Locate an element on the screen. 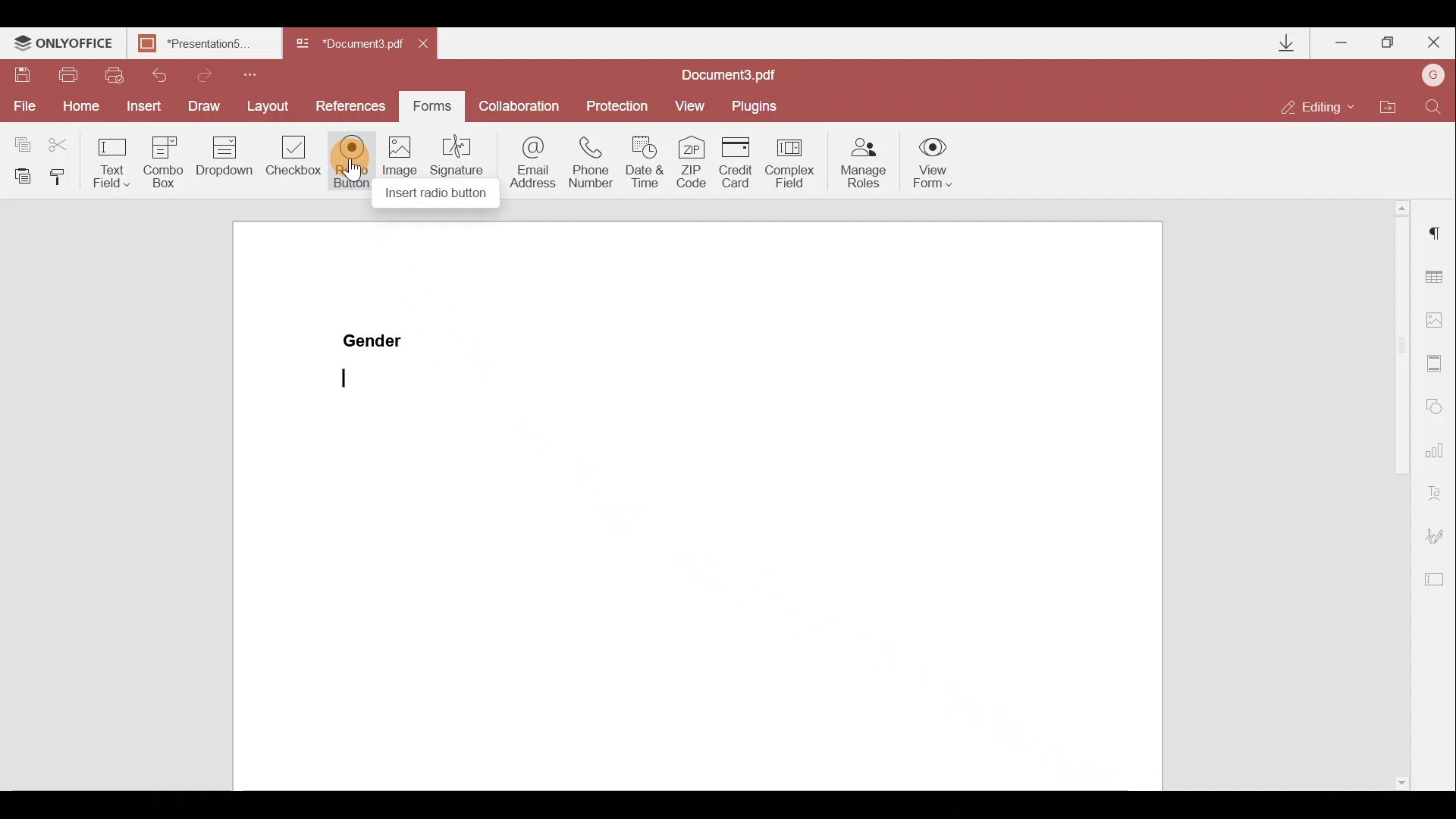  Dropdown is located at coordinates (224, 163).